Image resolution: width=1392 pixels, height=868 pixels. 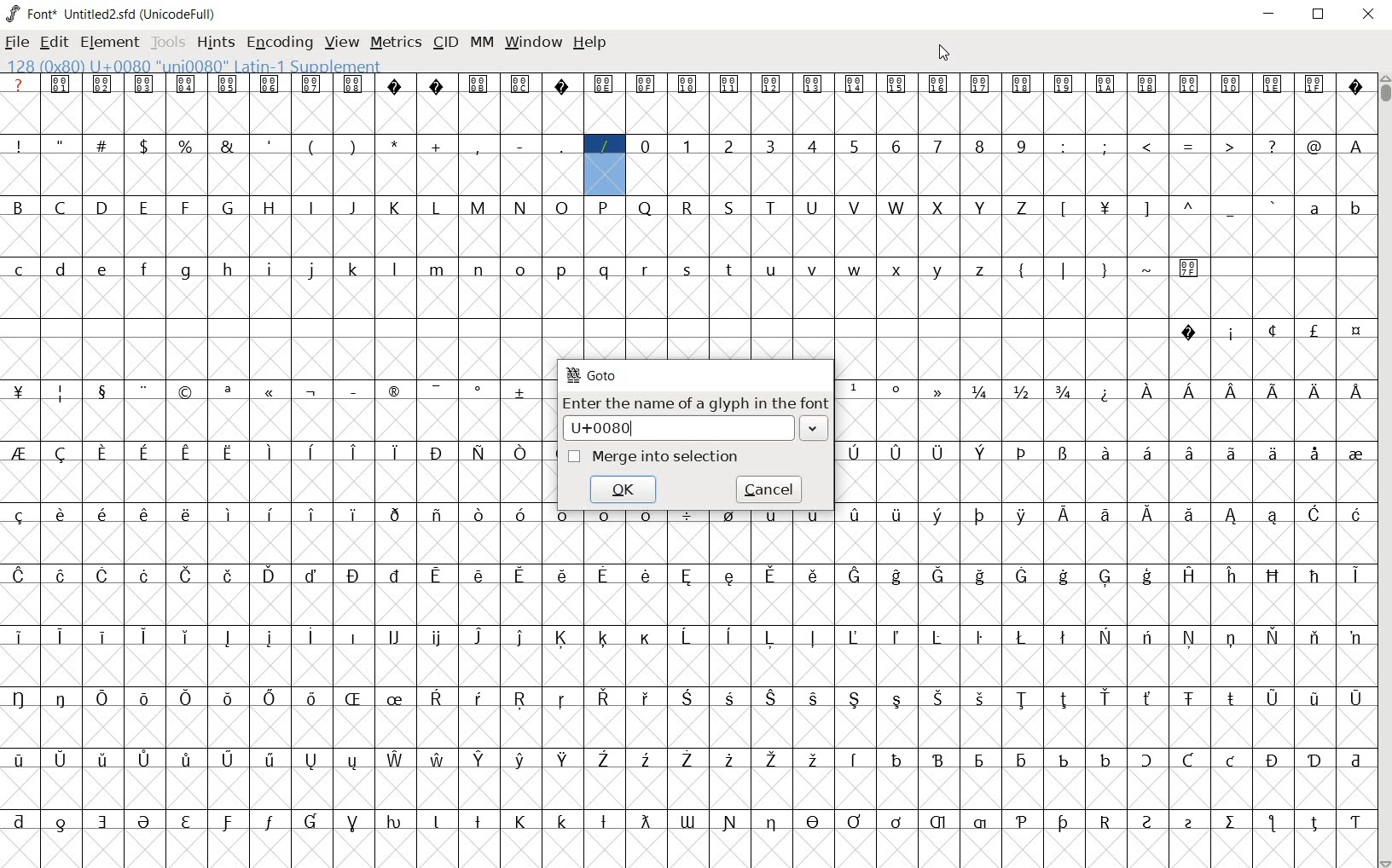 What do you see at coordinates (1146, 636) in the screenshot?
I see `glyph` at bounding box center [1146, 636].